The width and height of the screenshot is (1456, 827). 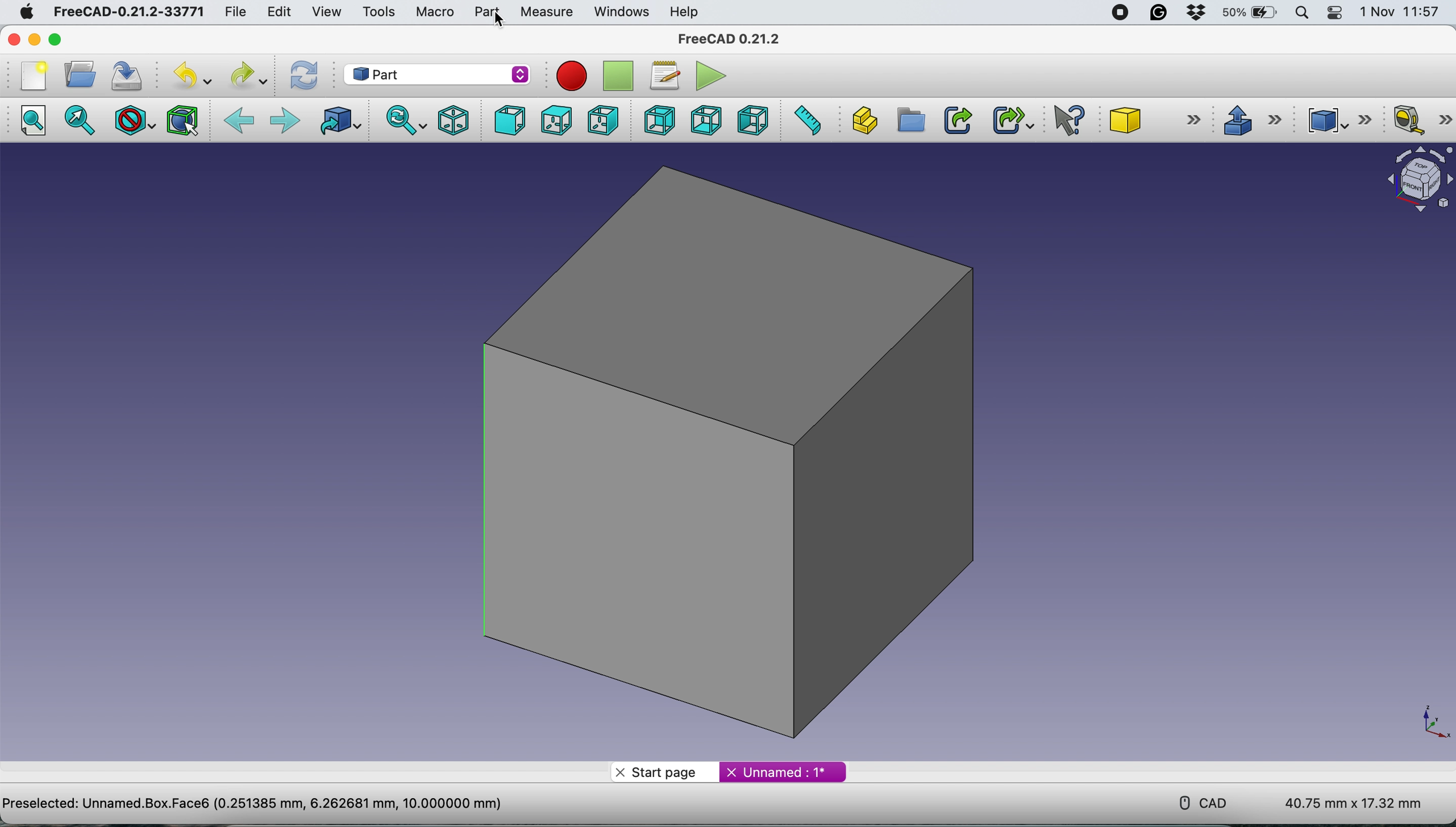 I want to click on part, so click(x=486, y=11).